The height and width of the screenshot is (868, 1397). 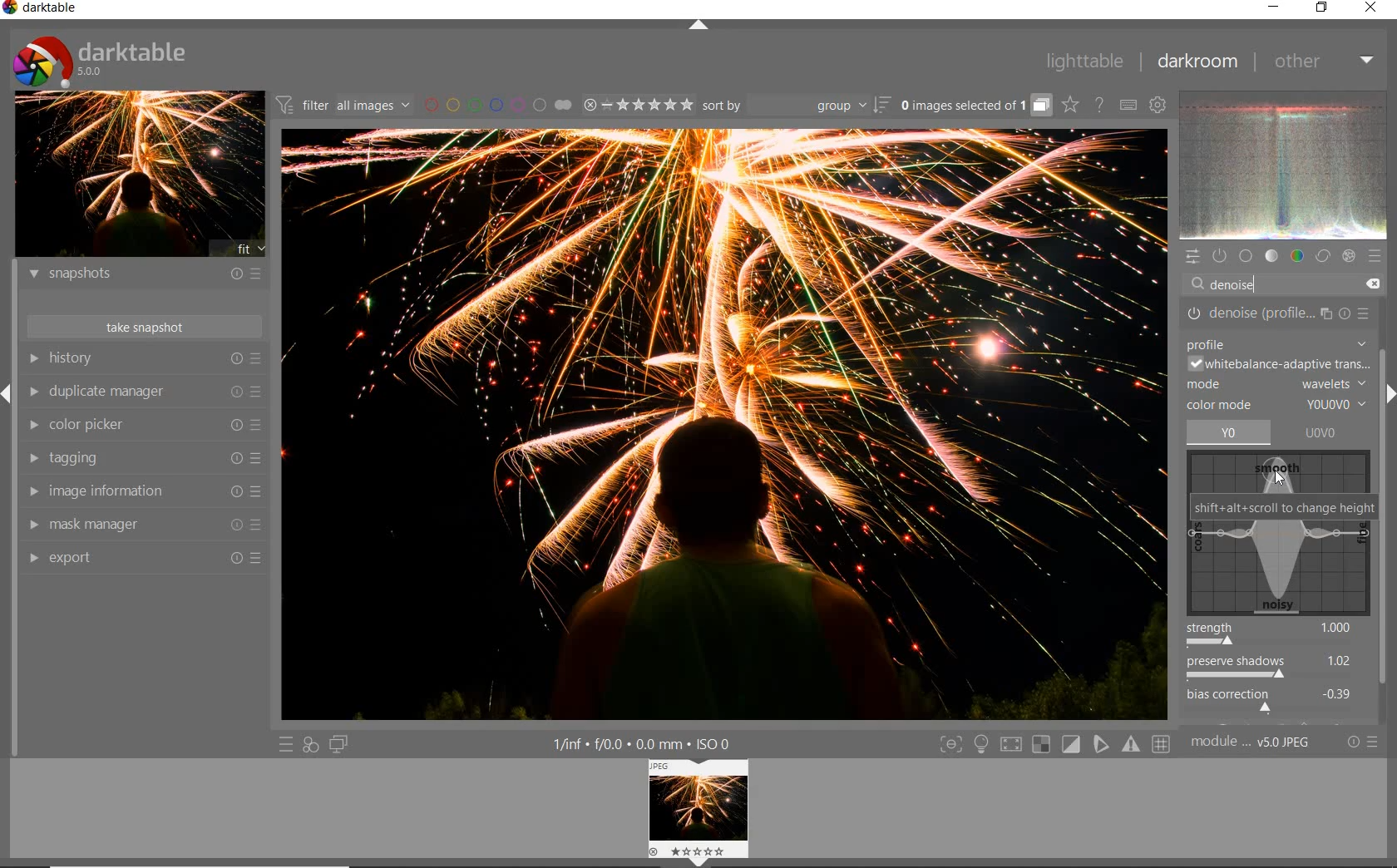 What do you see at coordinates (1285, 165) in the screenshot?
I see `waveform` at bounding box center [1285, 165].